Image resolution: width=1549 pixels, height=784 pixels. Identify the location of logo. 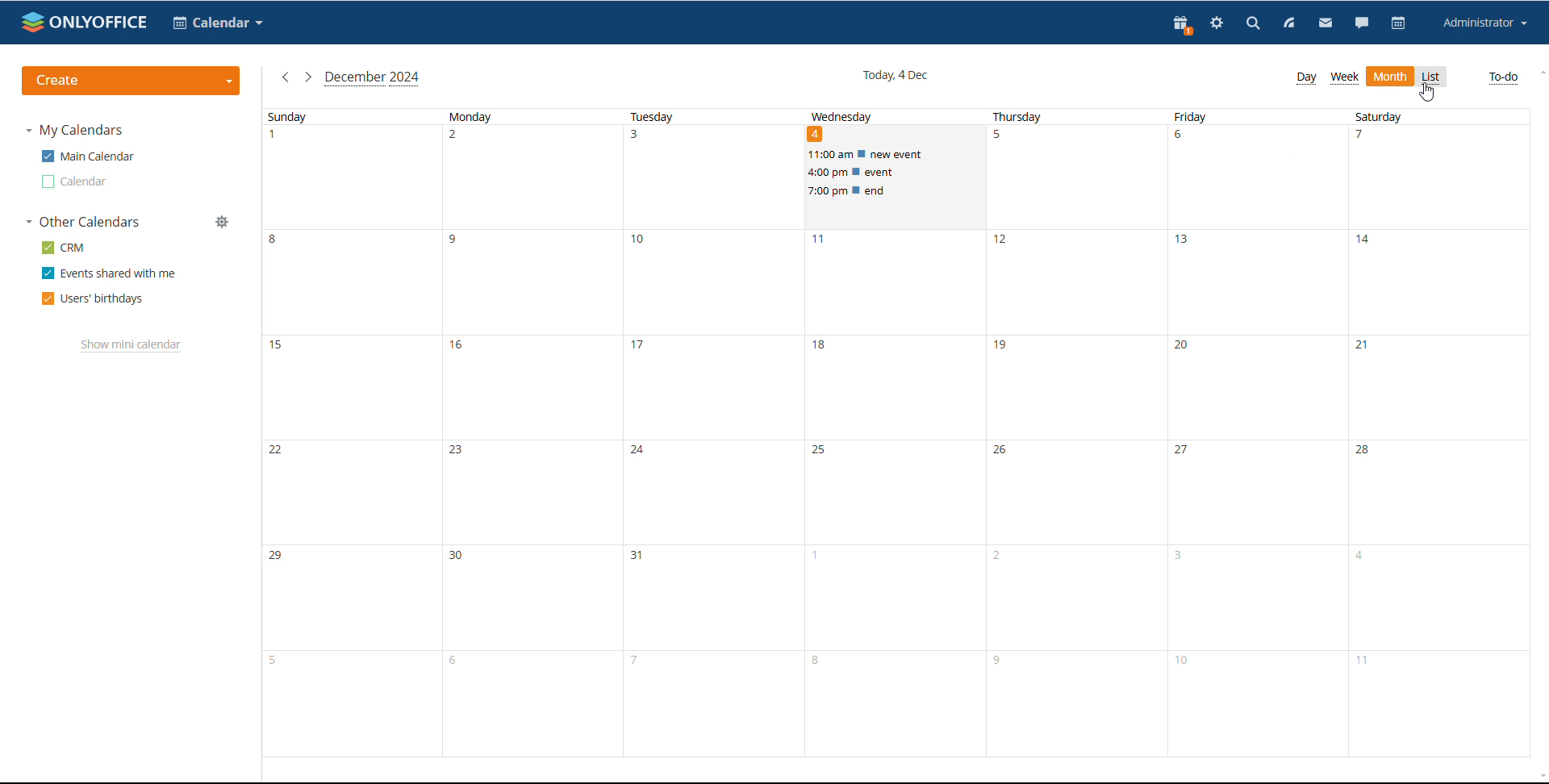
(85, 21).